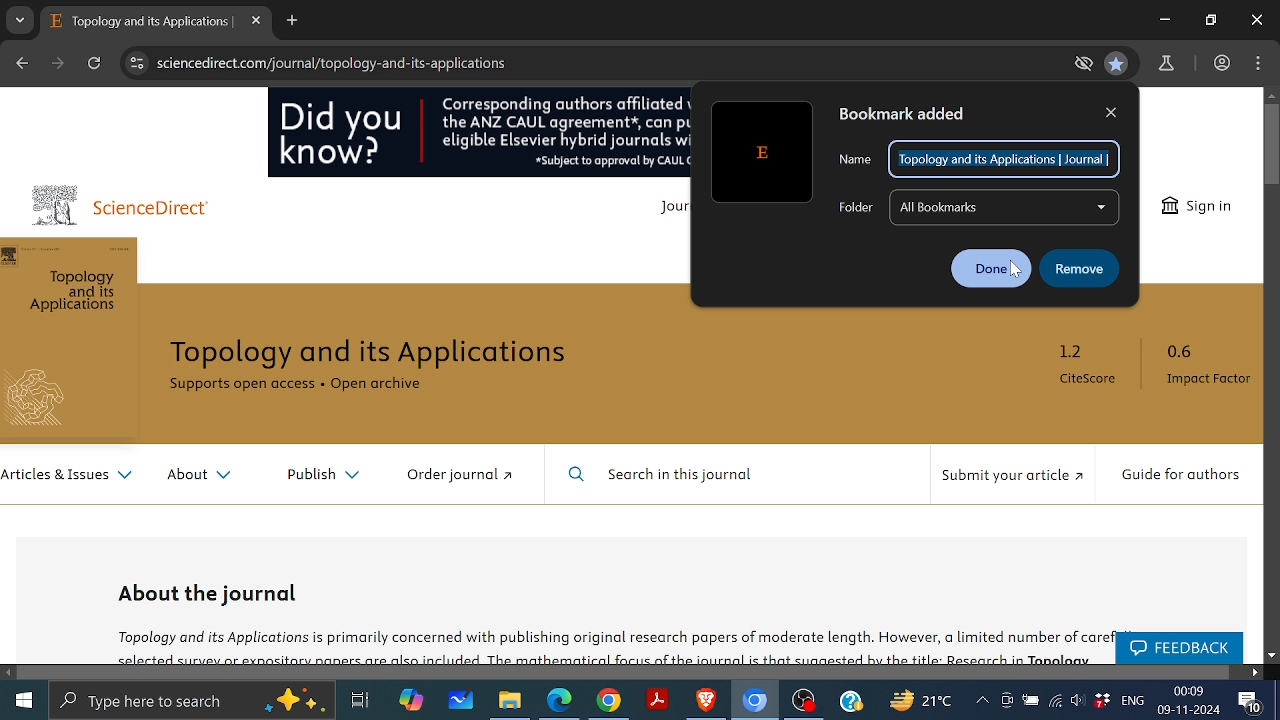  What do you see at coordinates (192, 702) in the screenshot?
I see `Type here to search` at bounding box center [192, 702].